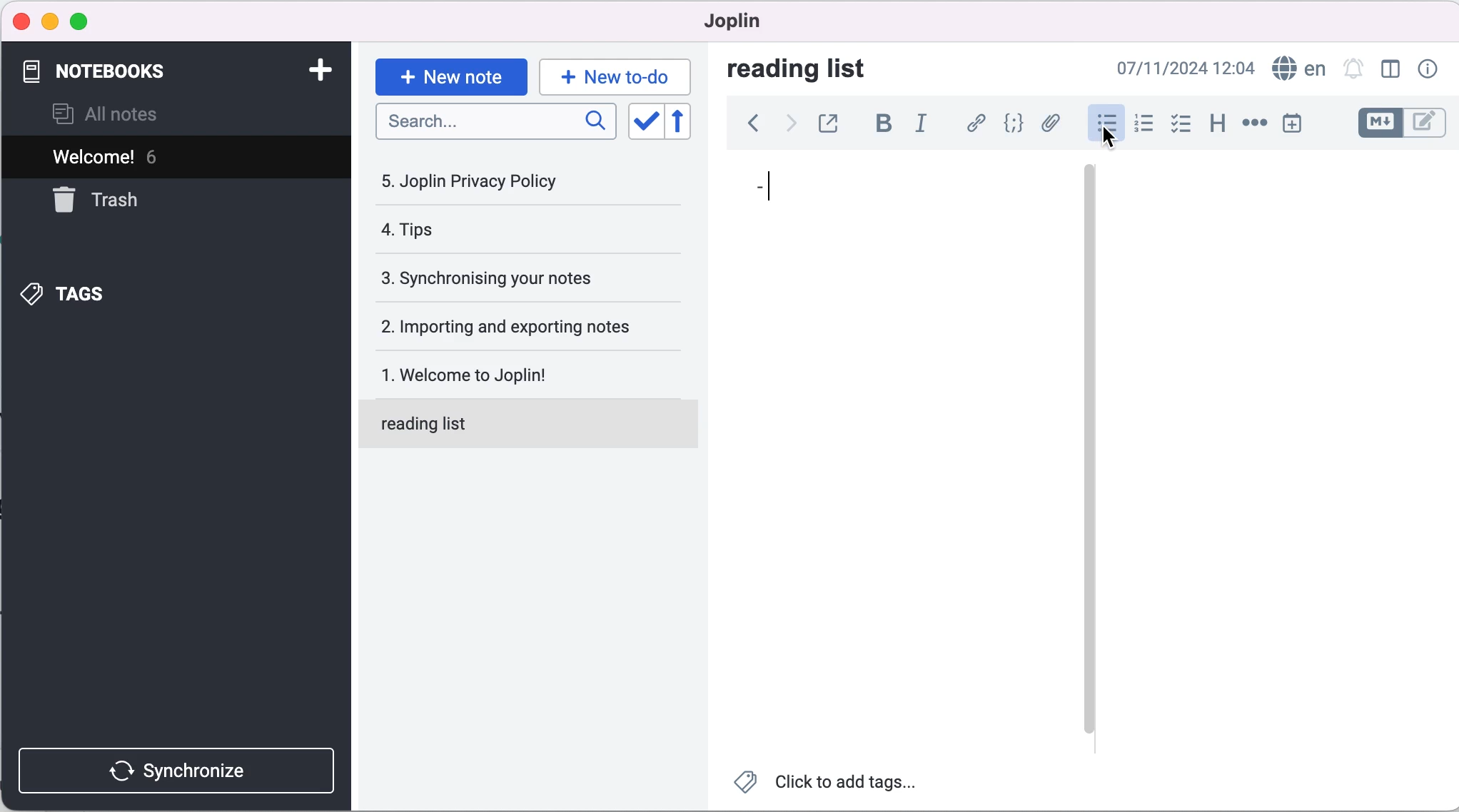  Describe the element at coordinates (1111, 136) in the screenshot. I see `cursor` at that location.